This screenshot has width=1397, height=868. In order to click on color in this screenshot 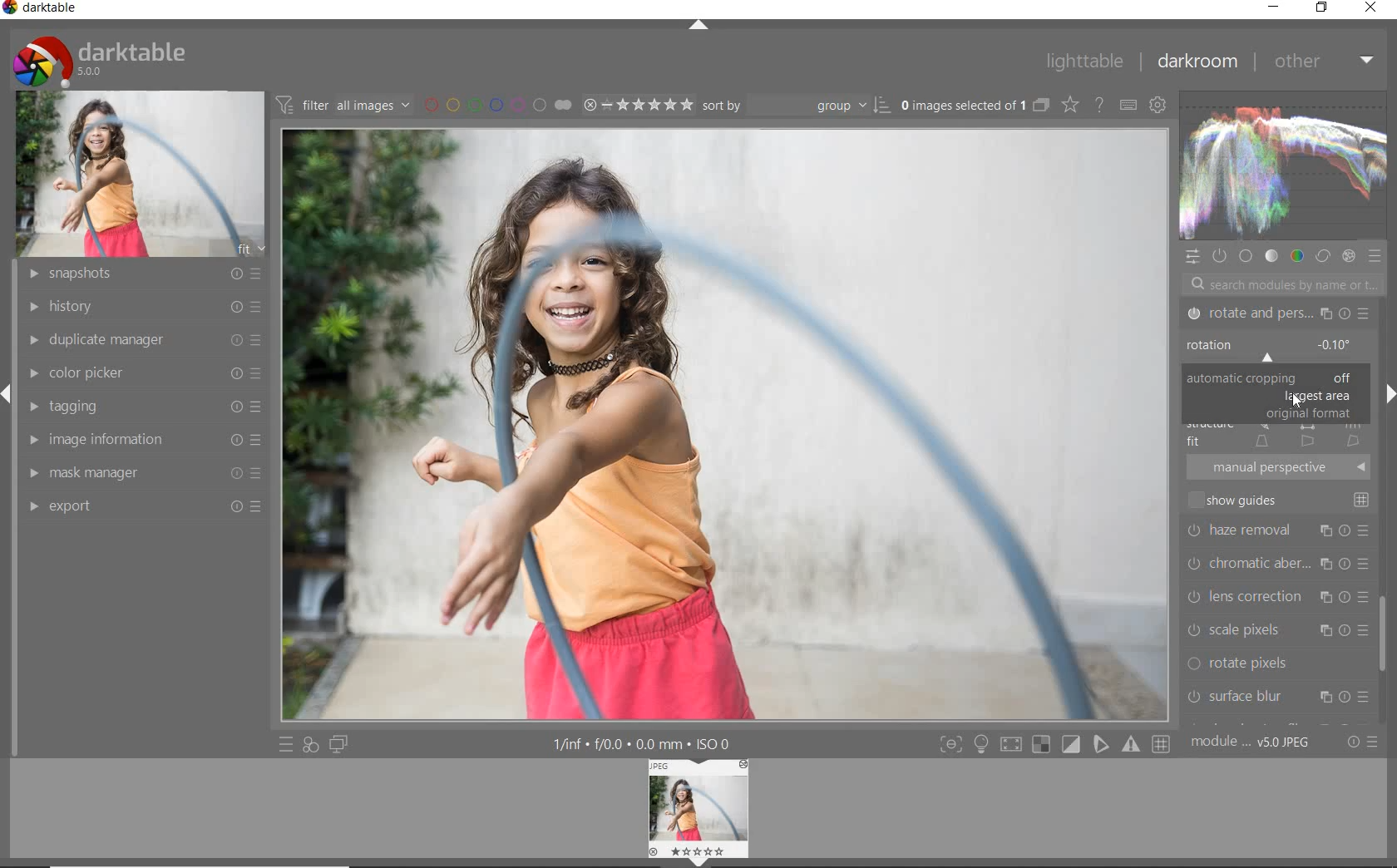, I will do `click(1298, 258)`.